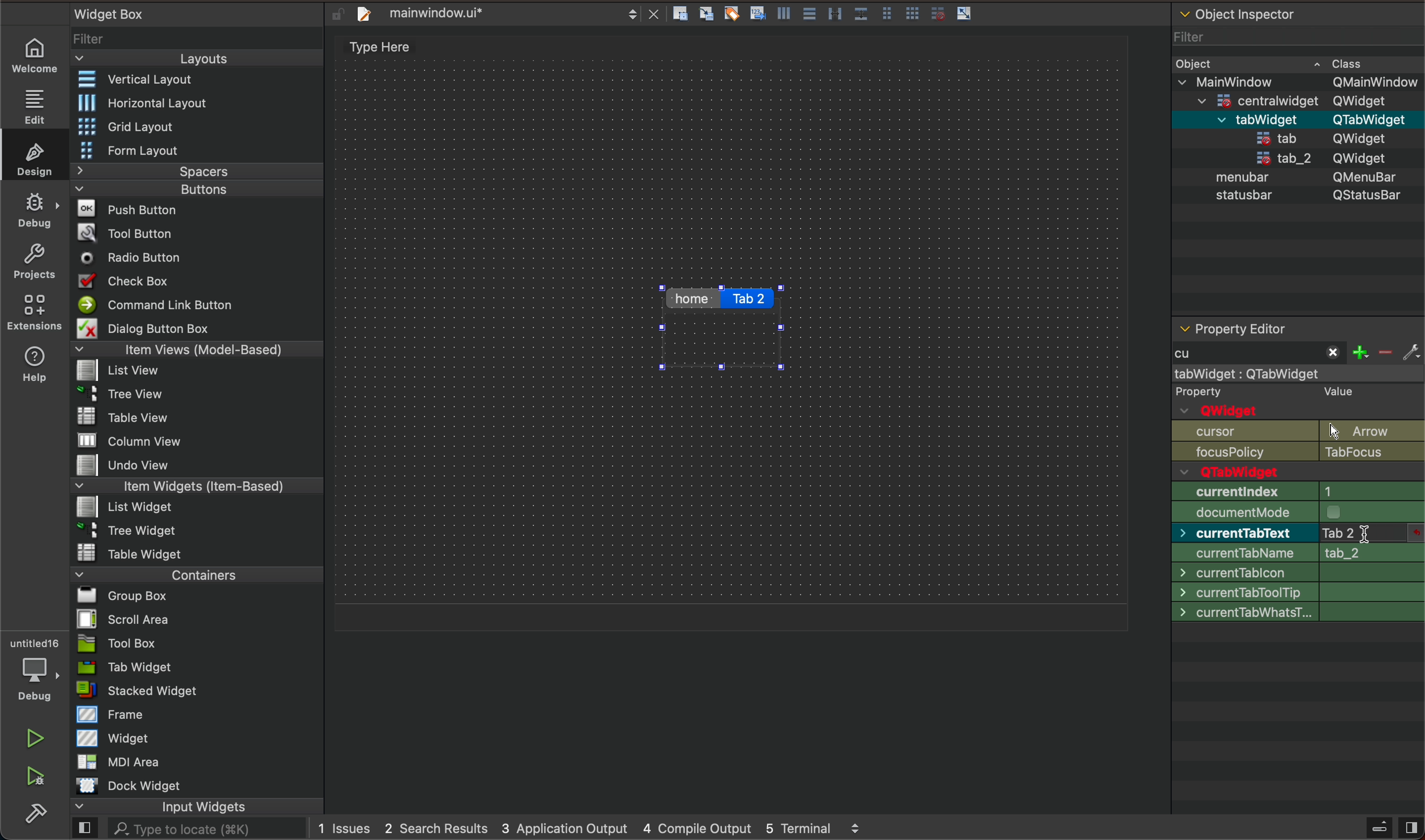 This screenshot has width=1425, height=840. What do you see at coordinates (105, 14) in the screenshot?
I see `Widget Box` at bounding box center [105, 14].